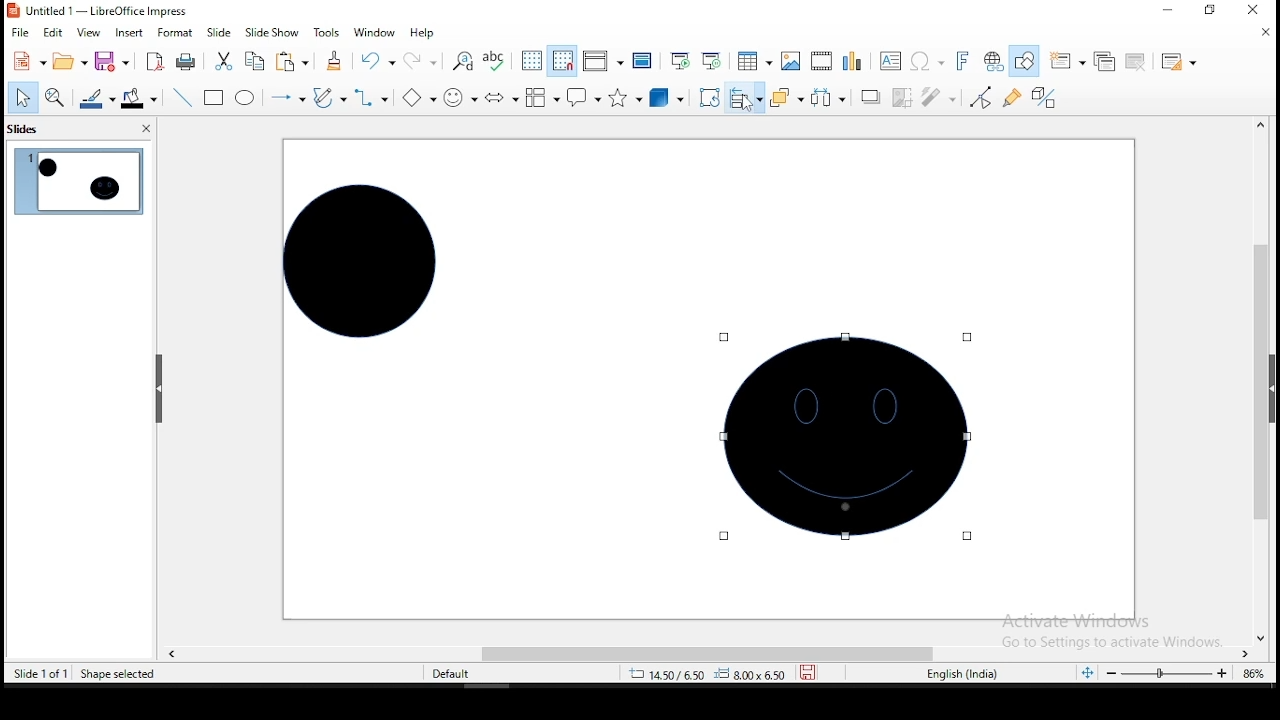 This screenshot has height=720, width=1280. What do you see at coordinates (533, 62) in the screenshot?
I see `display grid` at bounding box center [533, 62].